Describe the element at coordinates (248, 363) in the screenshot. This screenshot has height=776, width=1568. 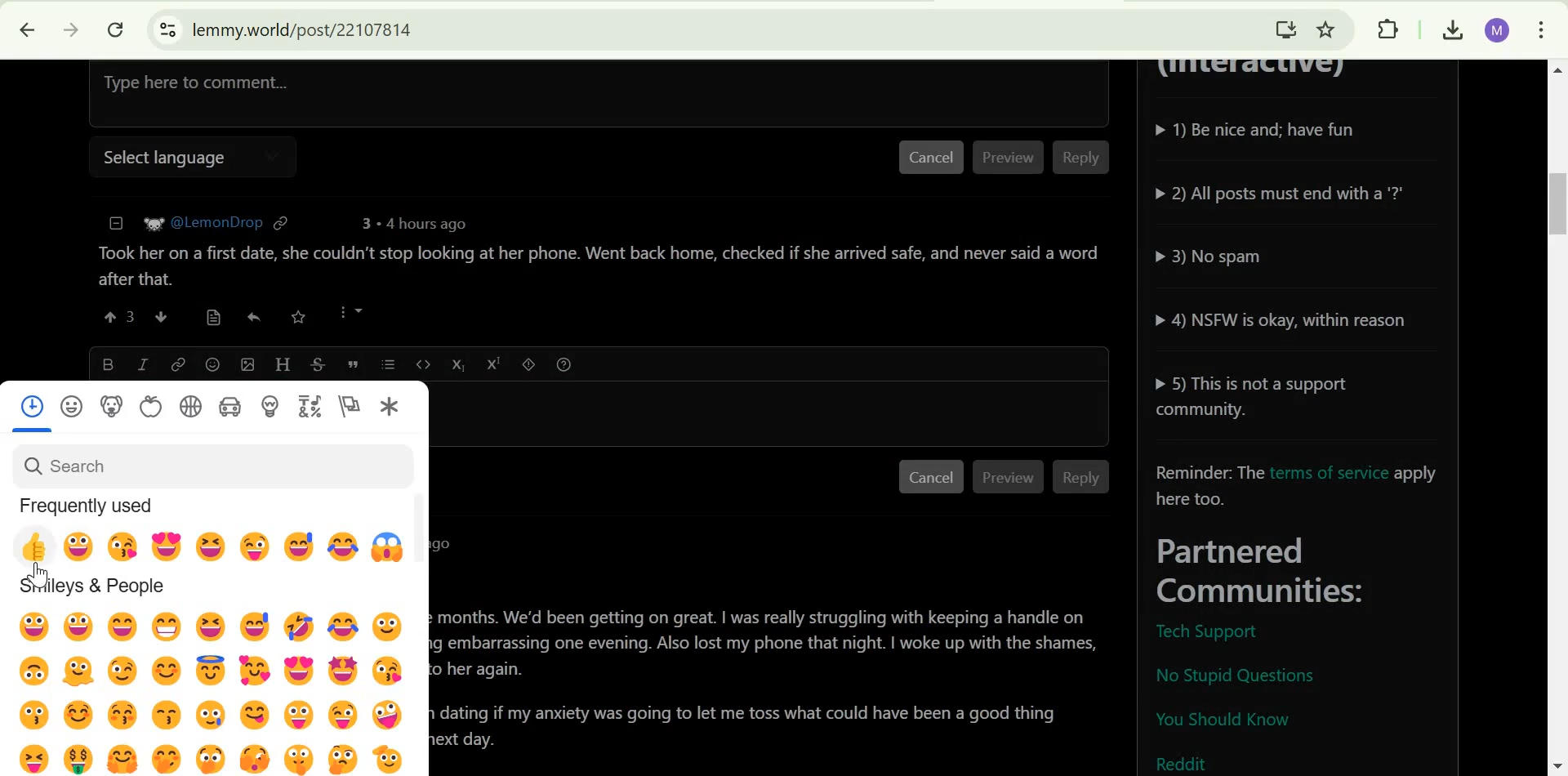
I see `Upload imafe` at that location.